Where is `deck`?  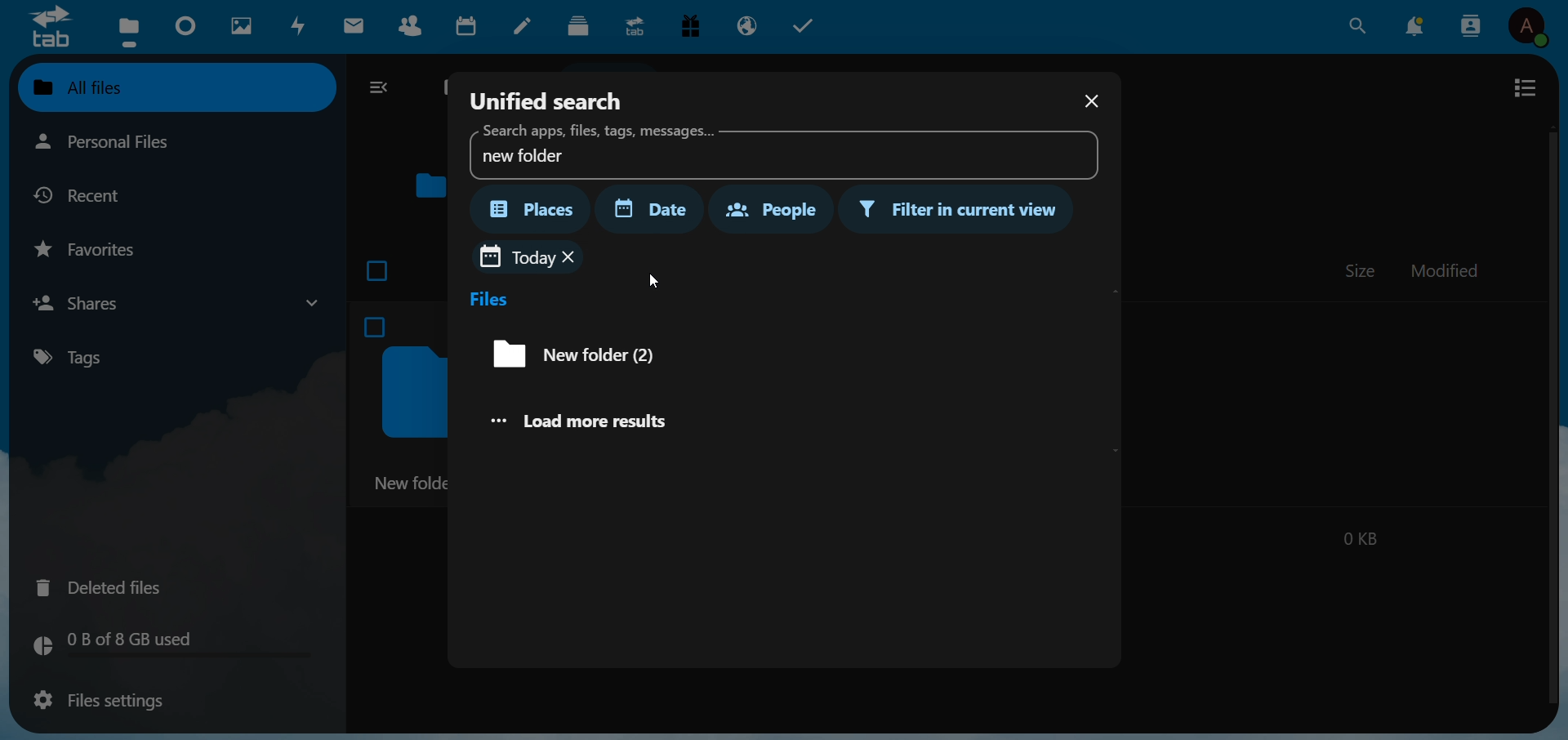 deck is located at coordinates (578, 26).